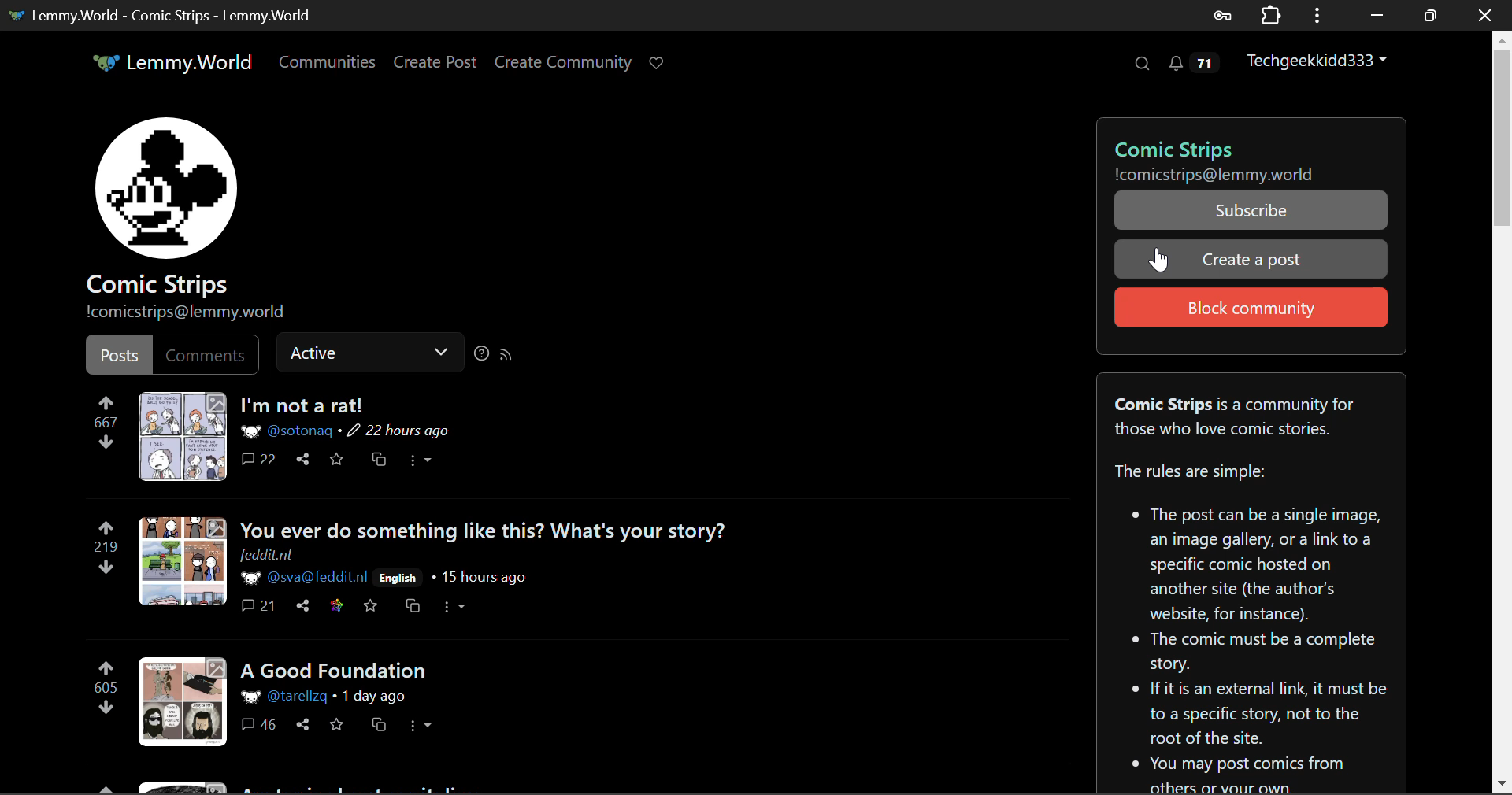  What do you see at coordinates (1251, 307) in the screenshot?
I see `Block community` at bounding box center [1251, 307].